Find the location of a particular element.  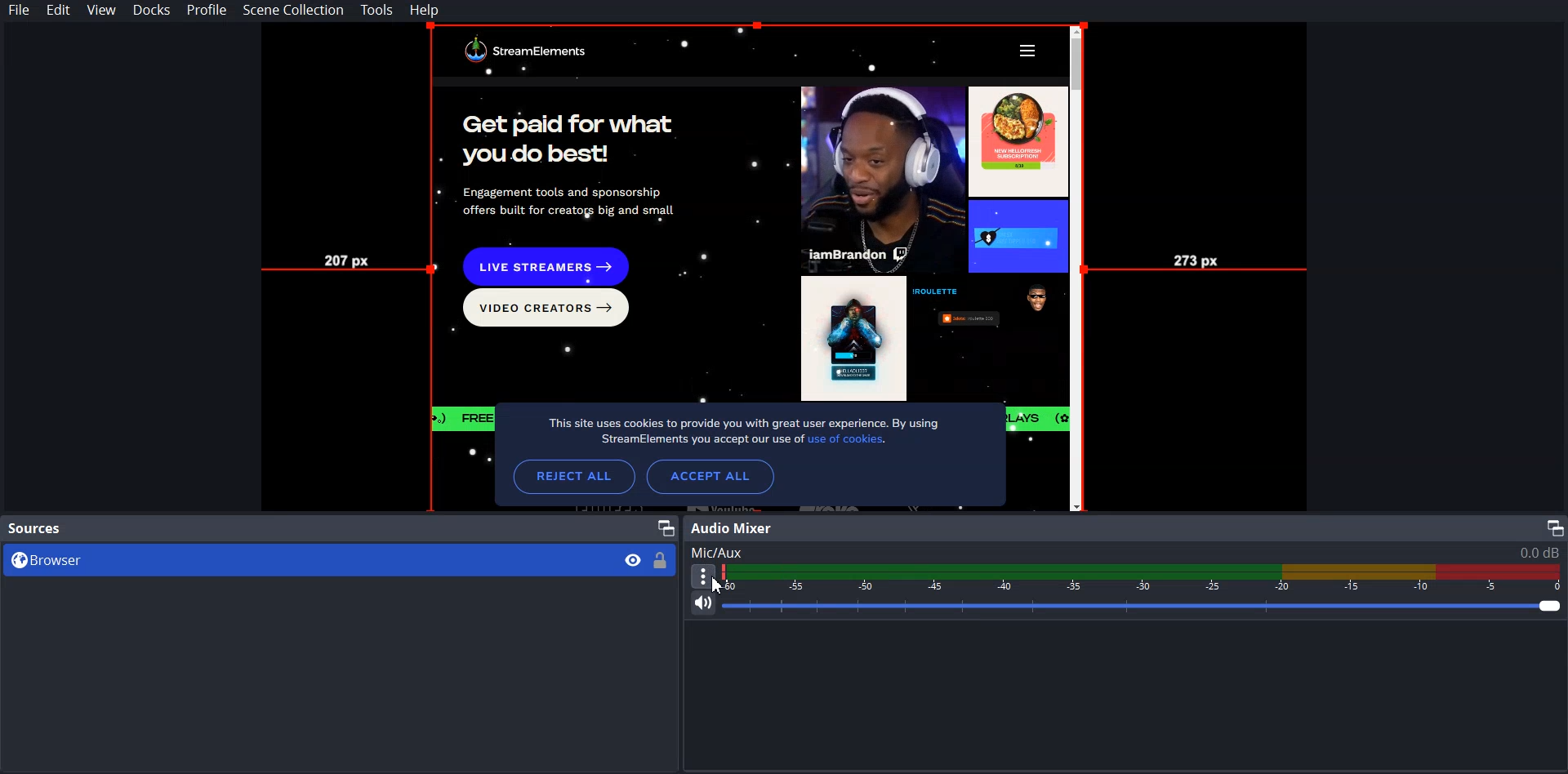

Lock is located at coordinates (661, 560).